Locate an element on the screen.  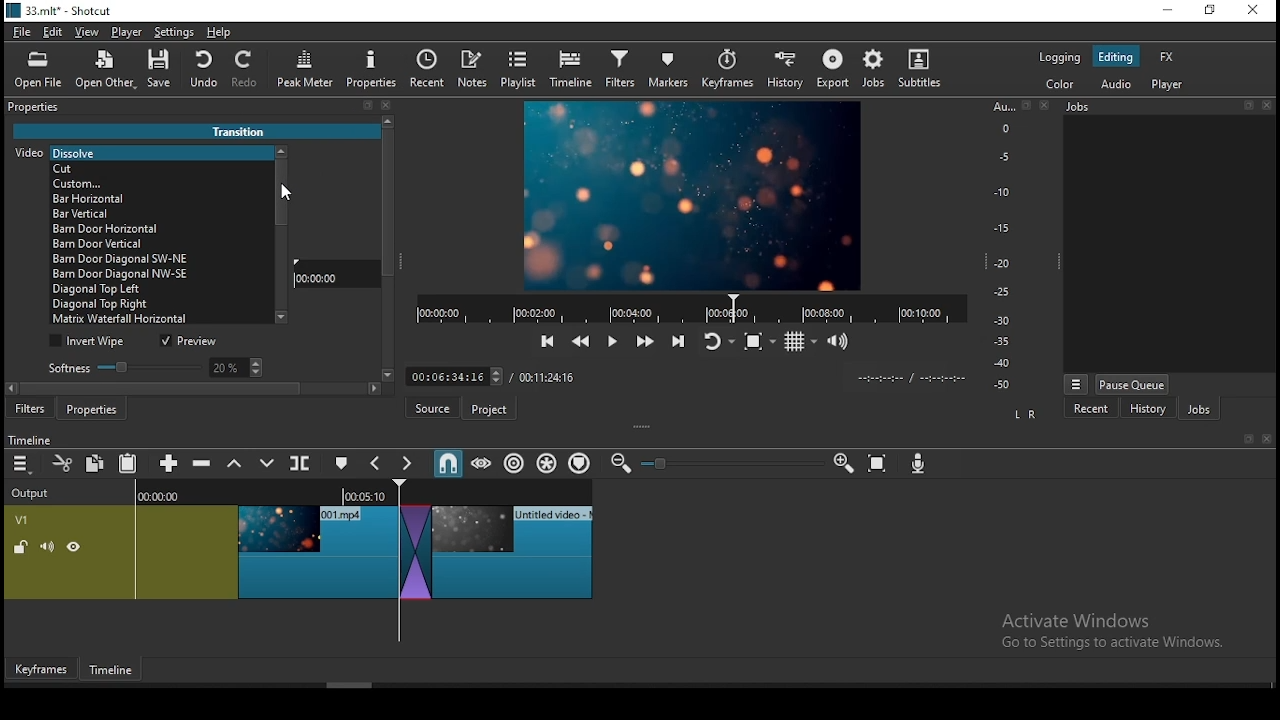
ripple markers is located at coordinates (579, 463).